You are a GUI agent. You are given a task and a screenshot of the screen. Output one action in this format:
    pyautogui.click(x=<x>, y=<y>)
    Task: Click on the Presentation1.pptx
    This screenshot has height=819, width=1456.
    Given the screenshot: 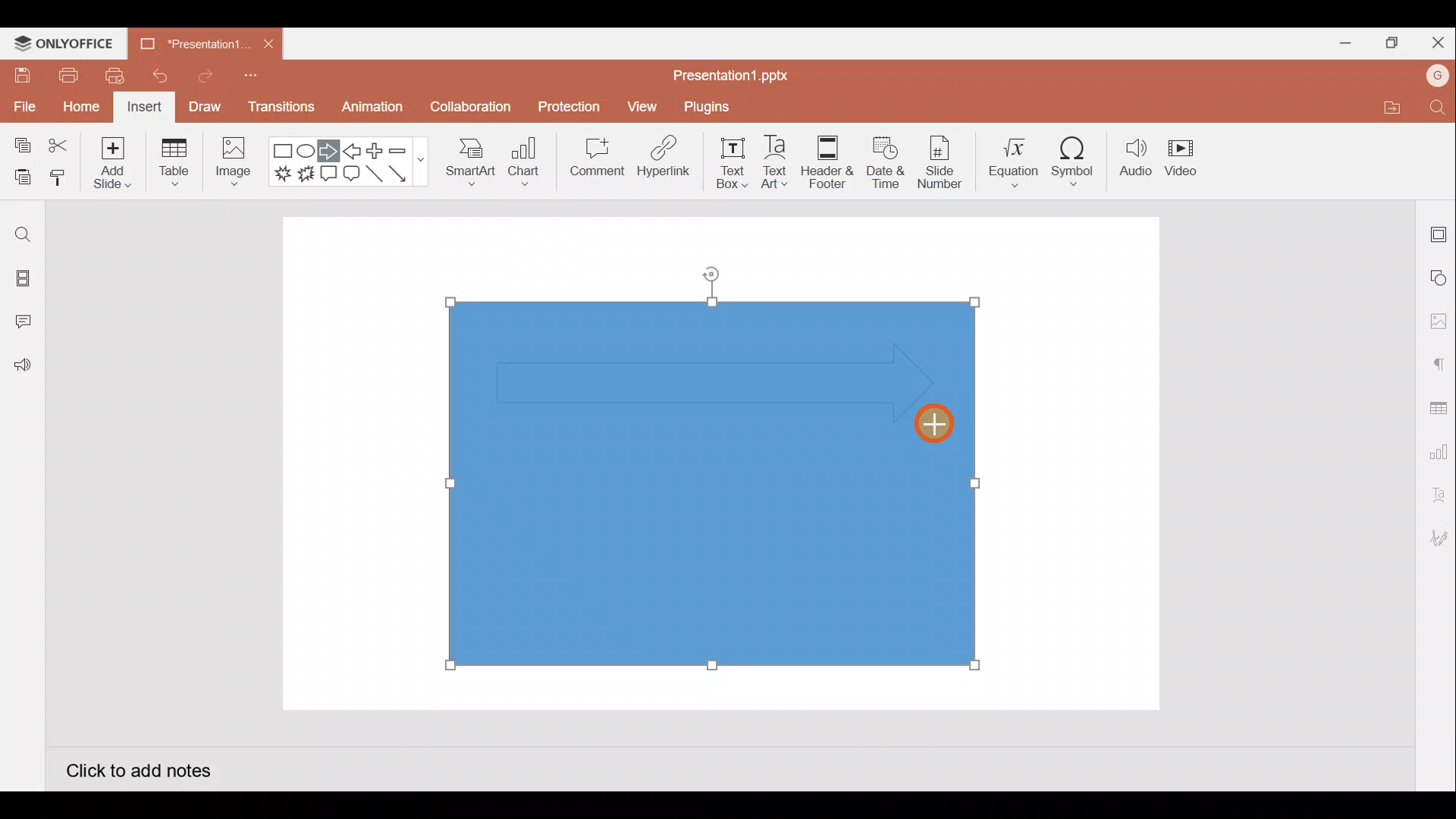 What is the action you would take?
    pyautogui.click(x=750, y=69)
    